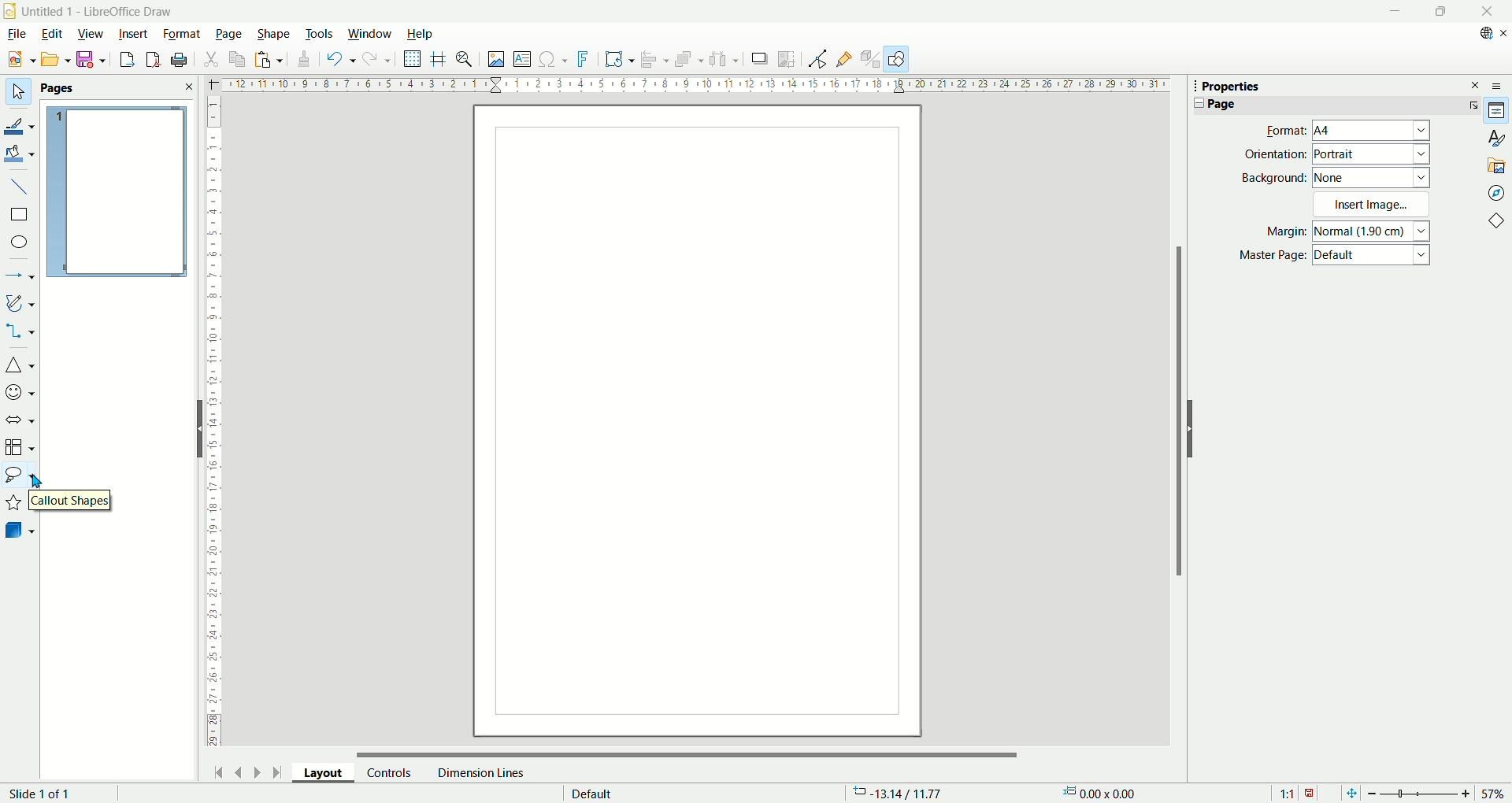 This screenshot has height=803, width=1512. What do you see at coordinates (54, 59) in the screenshot?
I see `open` at bounding box center [54, 59].